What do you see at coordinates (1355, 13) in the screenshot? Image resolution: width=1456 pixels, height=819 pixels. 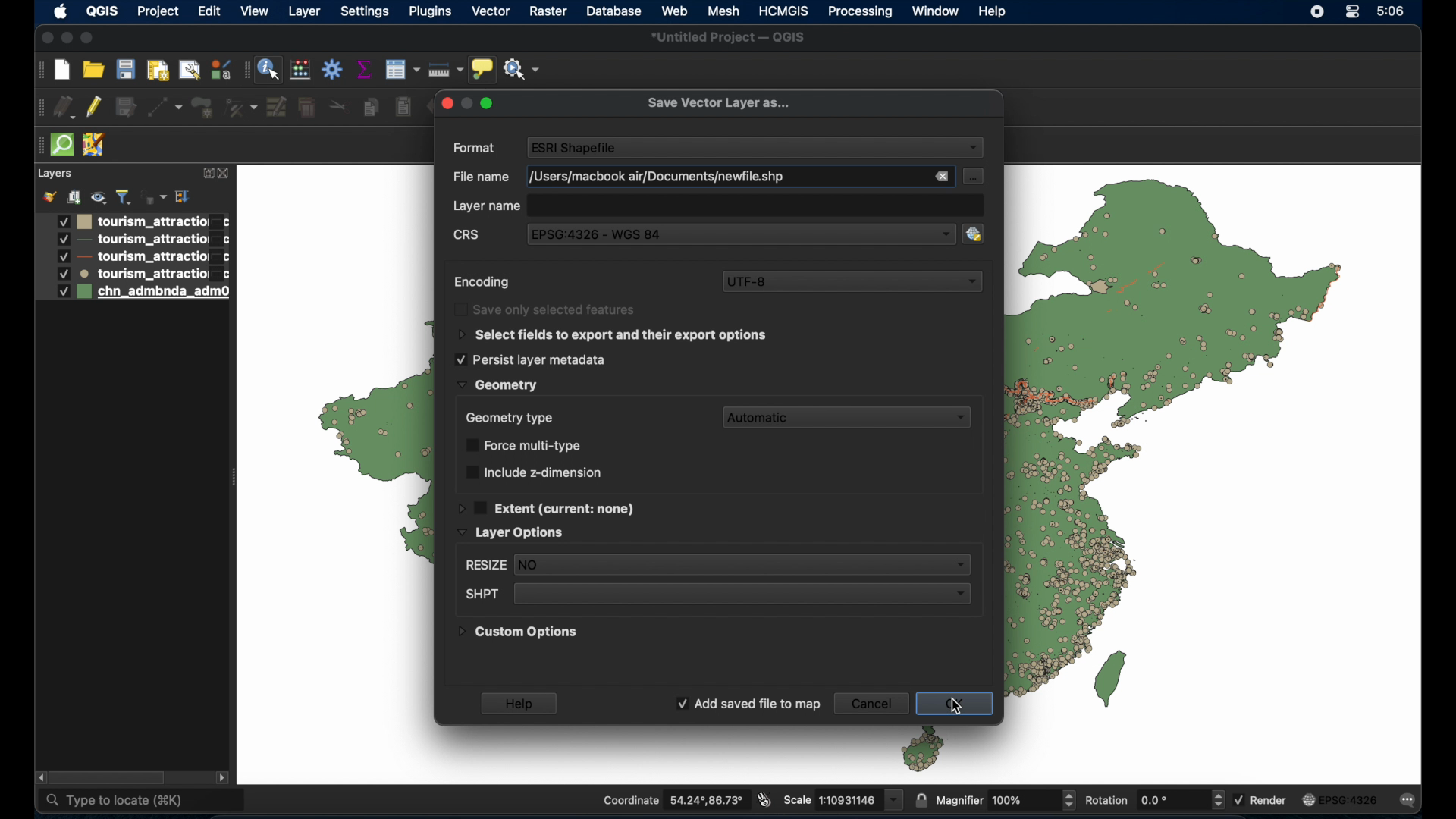 I see `control center` at bounding box center [1355, 13].